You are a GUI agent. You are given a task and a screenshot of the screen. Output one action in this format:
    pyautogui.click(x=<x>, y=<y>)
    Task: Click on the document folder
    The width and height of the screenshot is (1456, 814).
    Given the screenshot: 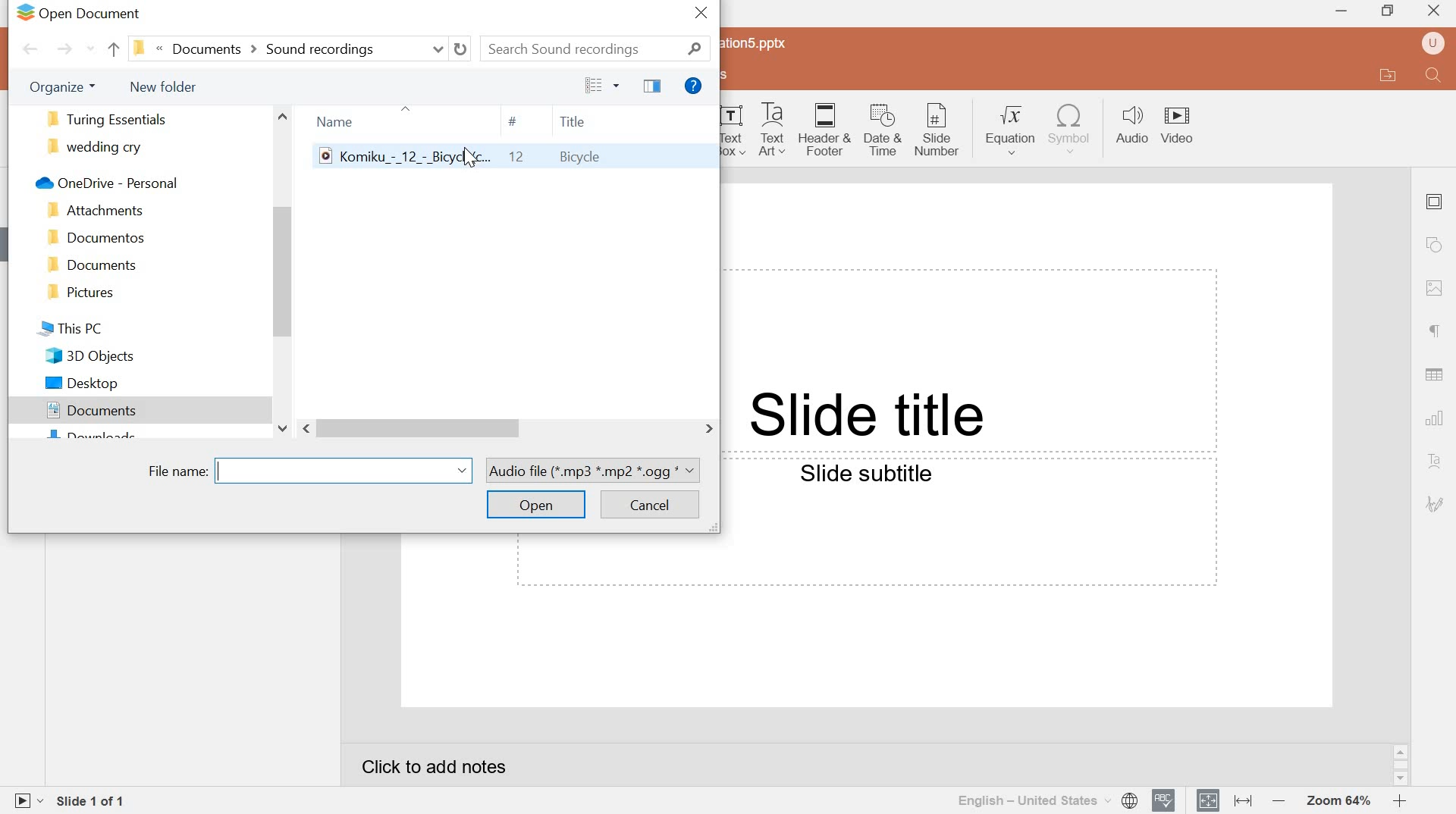 What is the action you would take?
    pyautogui.click(x=89, y=265)
    